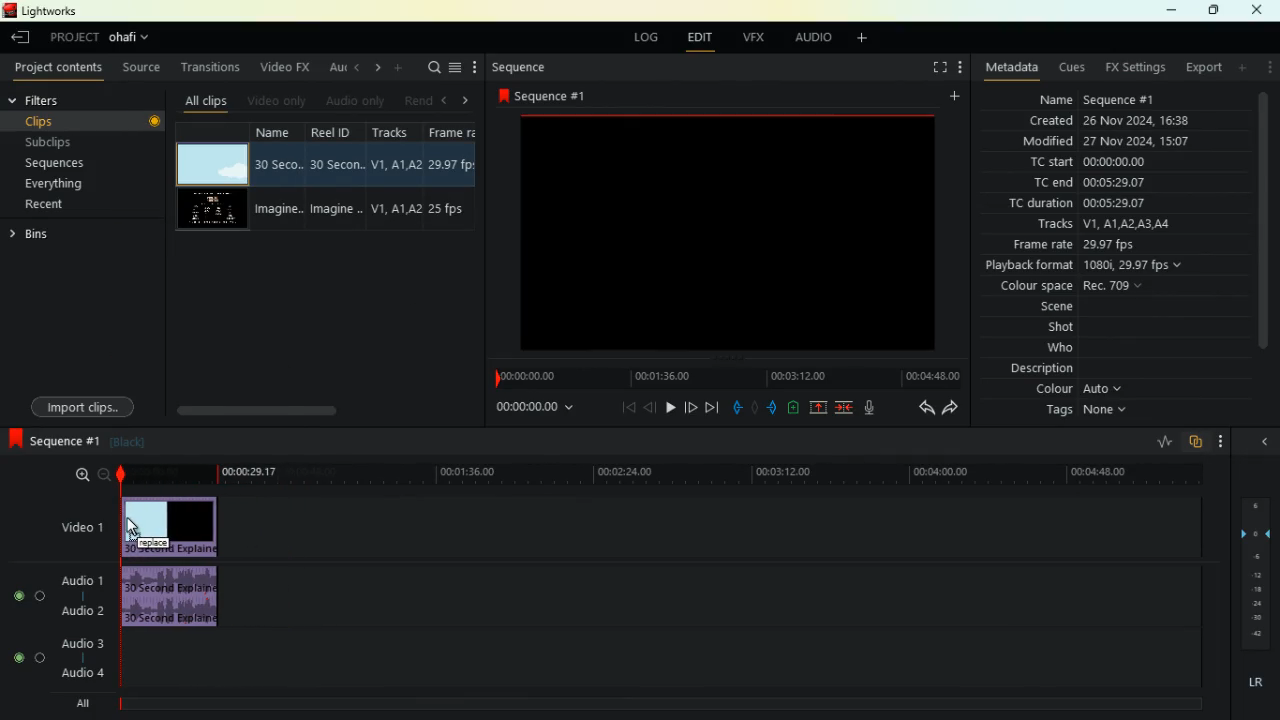 The height and width of the screenshot is (720, 1280). I want to click on V1,A1, A2, so click(395, 209).